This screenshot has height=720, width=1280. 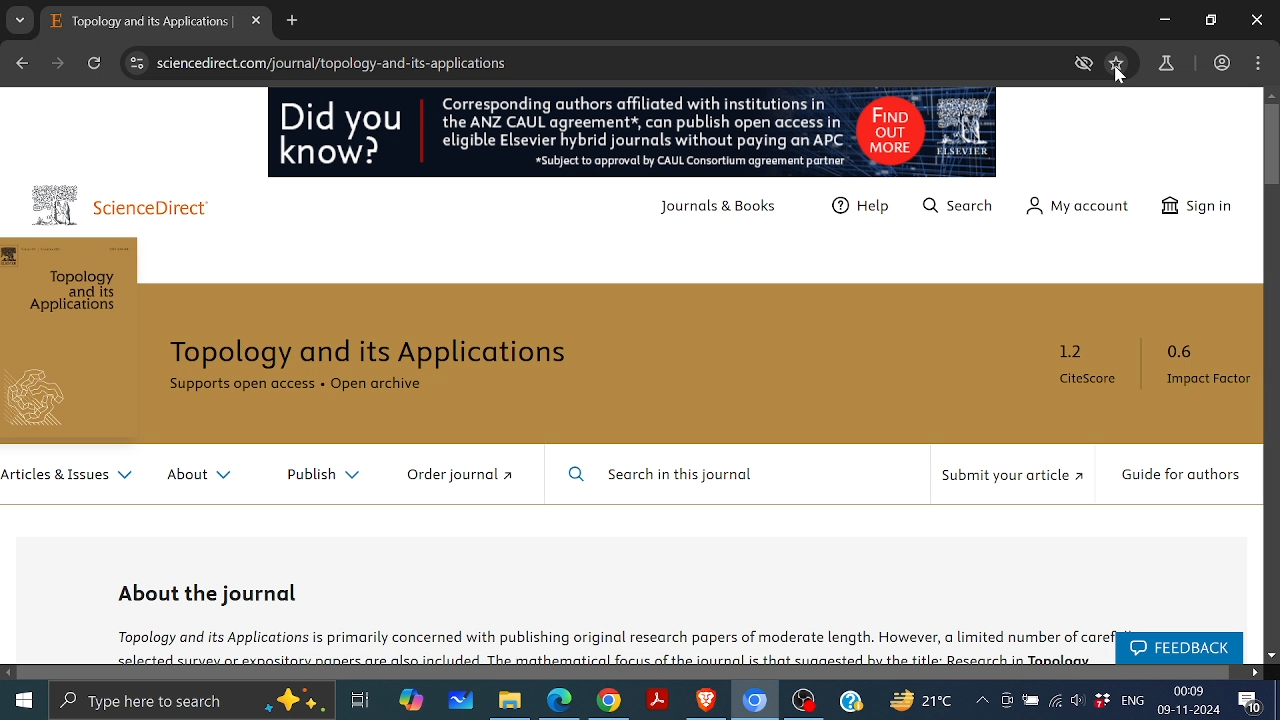 I want to click on Meet Now, so click(x=1005, y=699).